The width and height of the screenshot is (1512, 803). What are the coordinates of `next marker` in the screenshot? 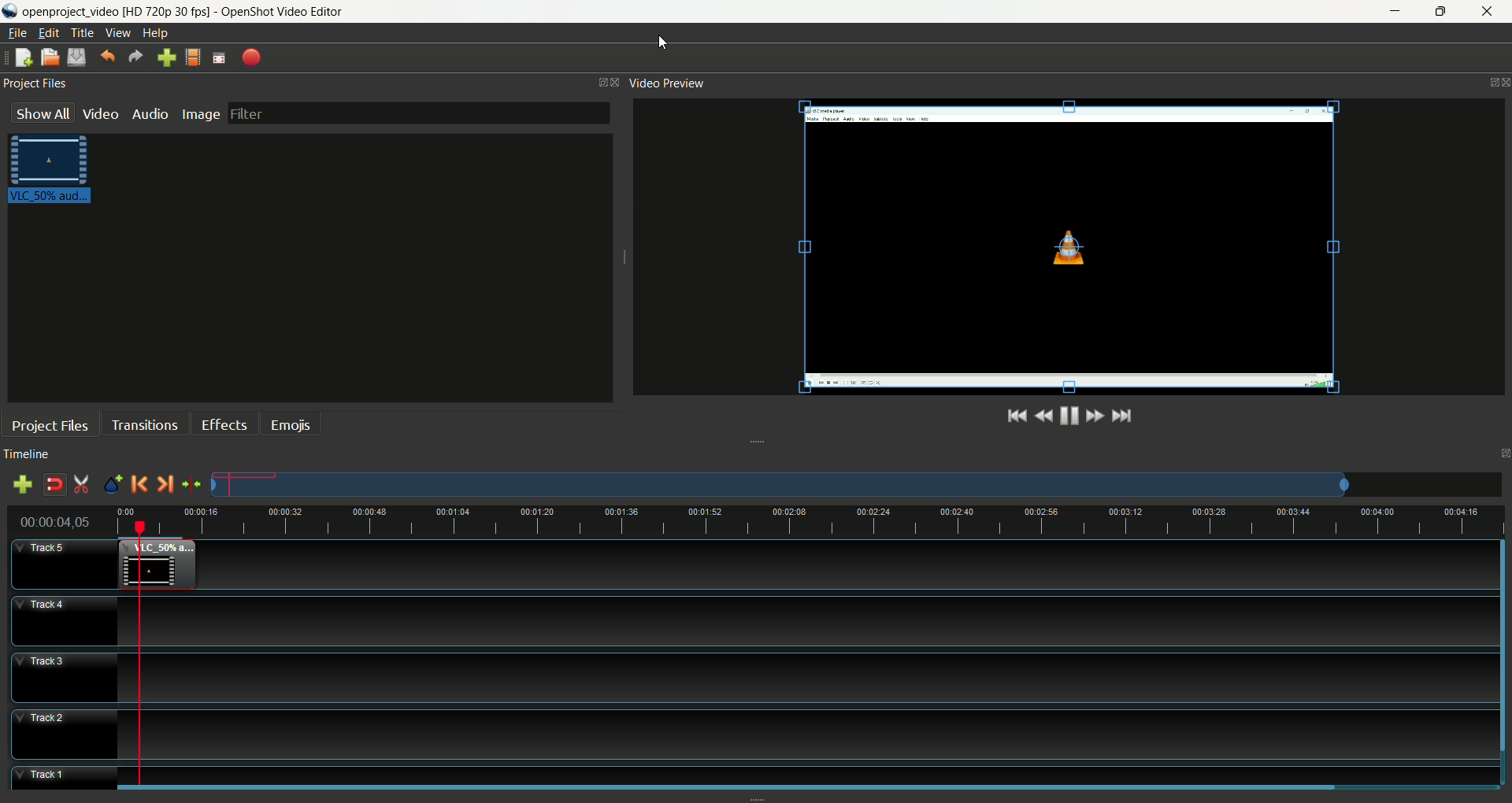 It's located at (165, 485).